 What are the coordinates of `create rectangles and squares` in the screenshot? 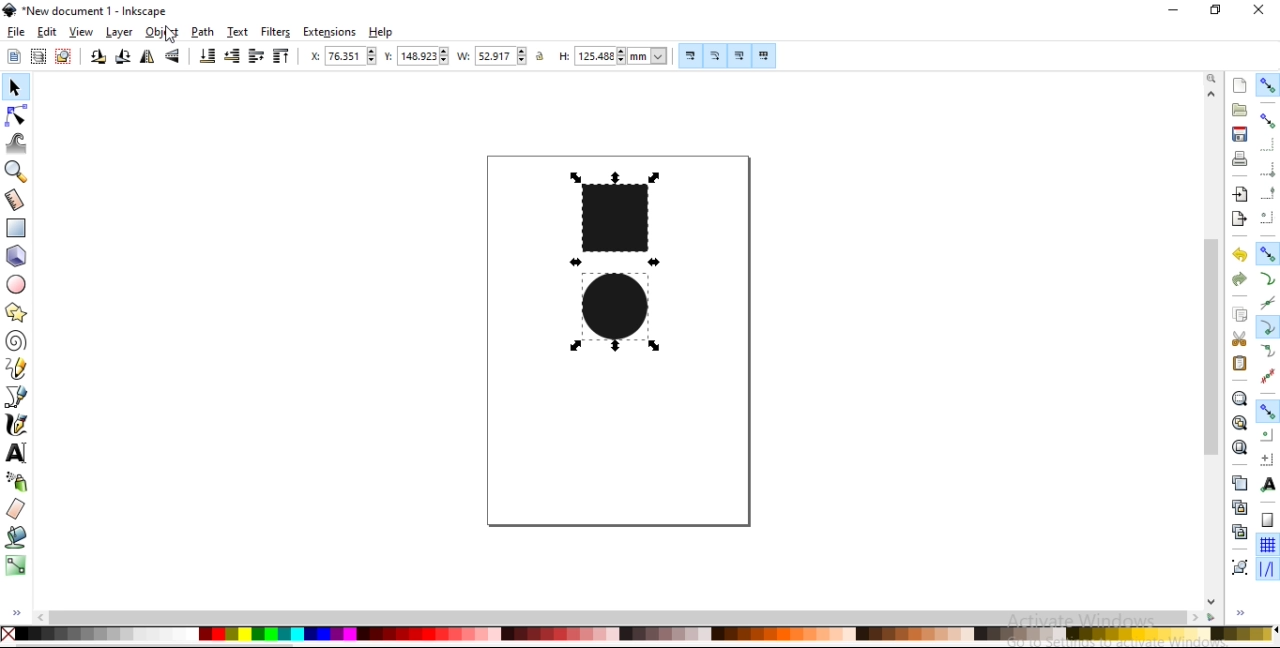 It's located at (16, 228).